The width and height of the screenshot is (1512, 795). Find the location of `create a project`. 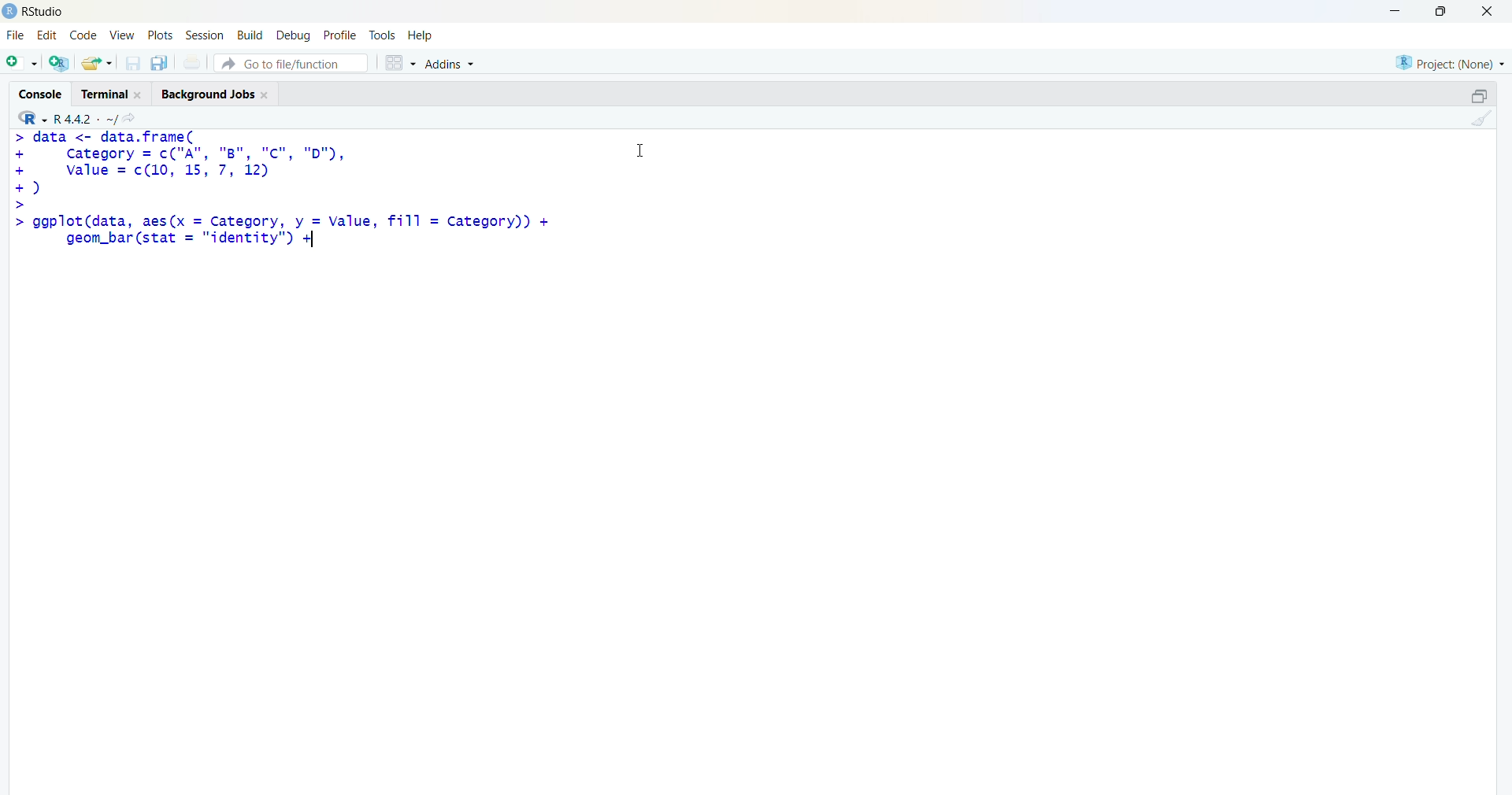

create a project is located at coordinates (58, 62).